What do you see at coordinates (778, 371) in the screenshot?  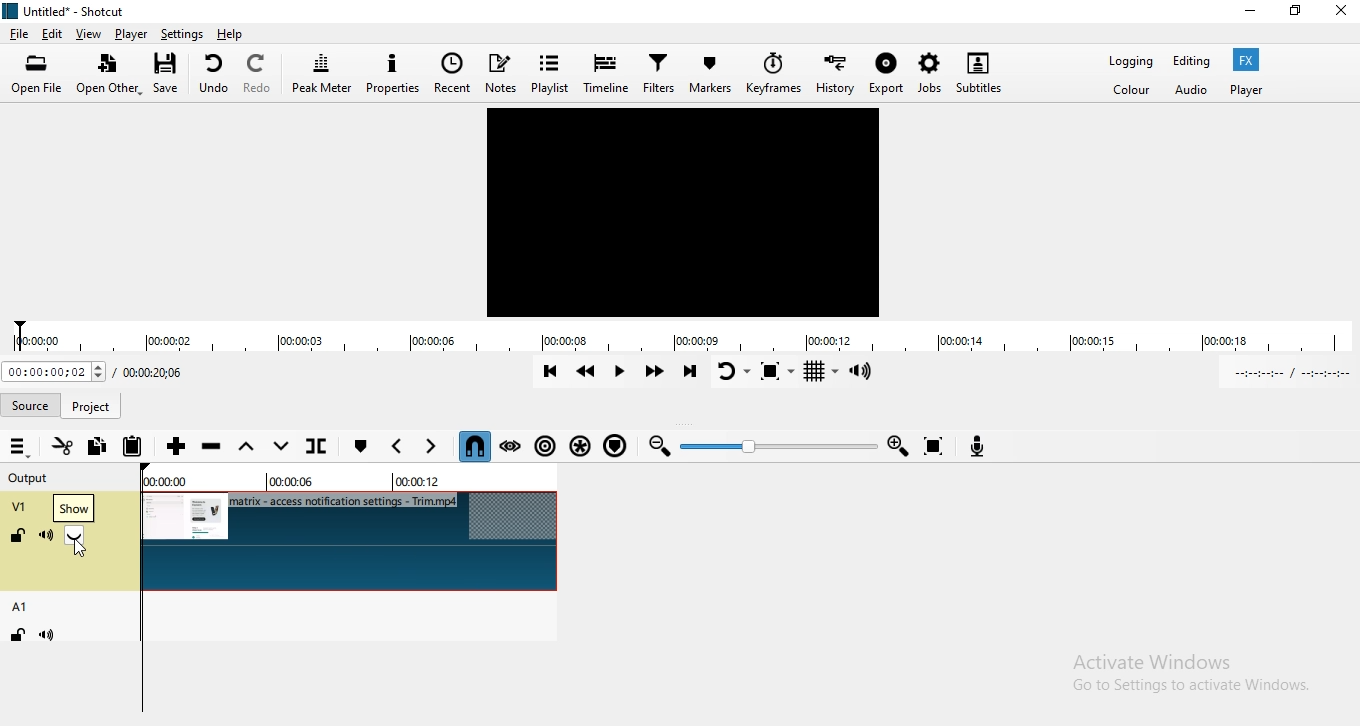 I see `` at bounding box center [778, 371].